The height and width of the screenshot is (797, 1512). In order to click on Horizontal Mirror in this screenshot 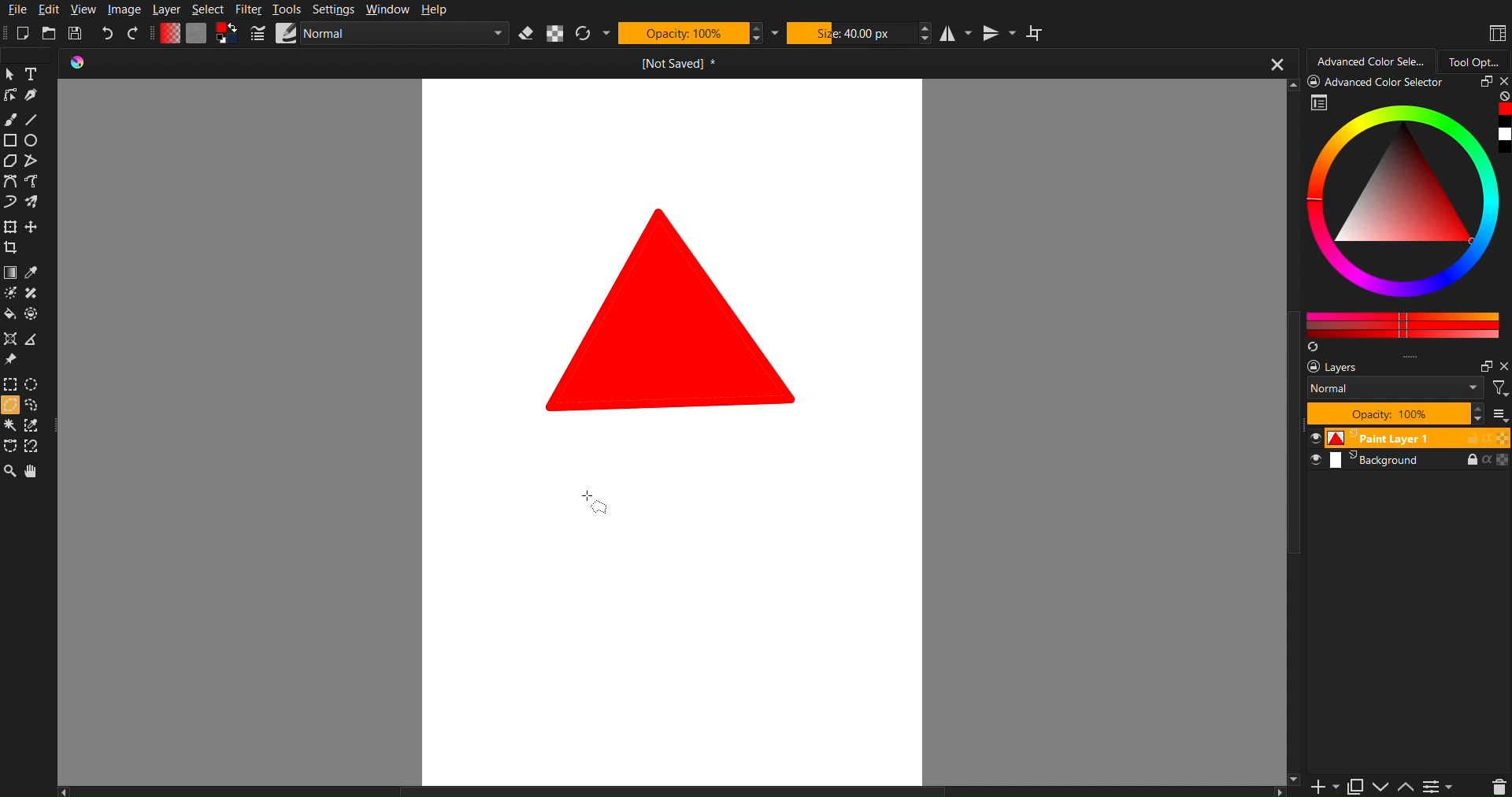, I will do `click(954, 32)`.